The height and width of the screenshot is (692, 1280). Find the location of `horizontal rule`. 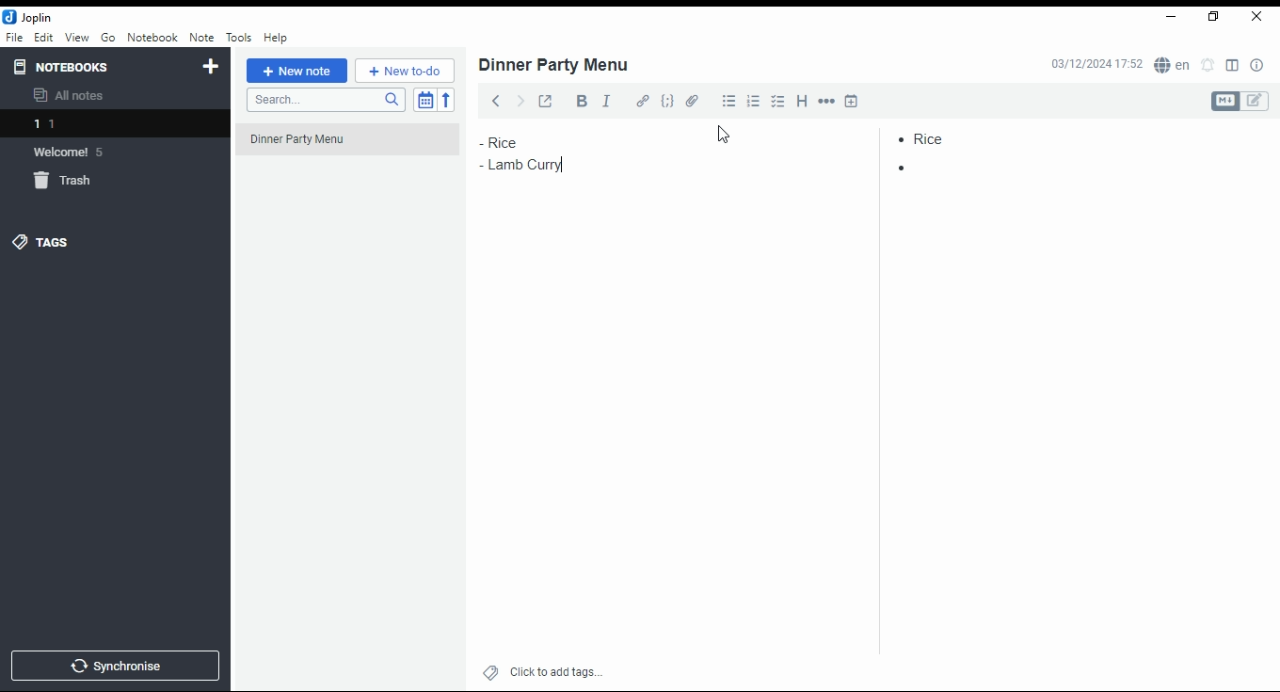

horizontal rule is located at coordinates (826, 100).